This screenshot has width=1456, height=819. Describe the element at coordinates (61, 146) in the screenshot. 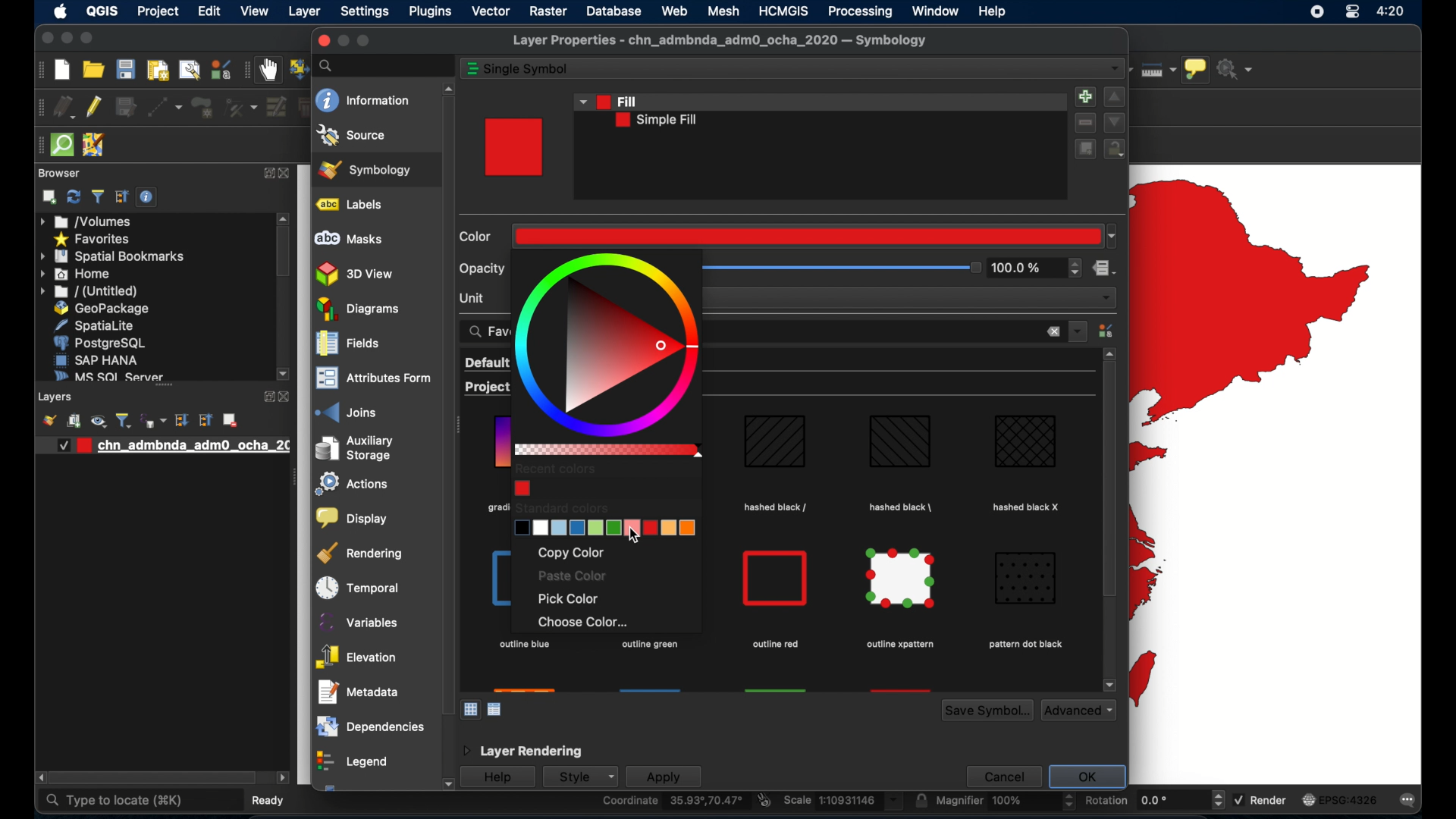

I see `quicksom` at that location.